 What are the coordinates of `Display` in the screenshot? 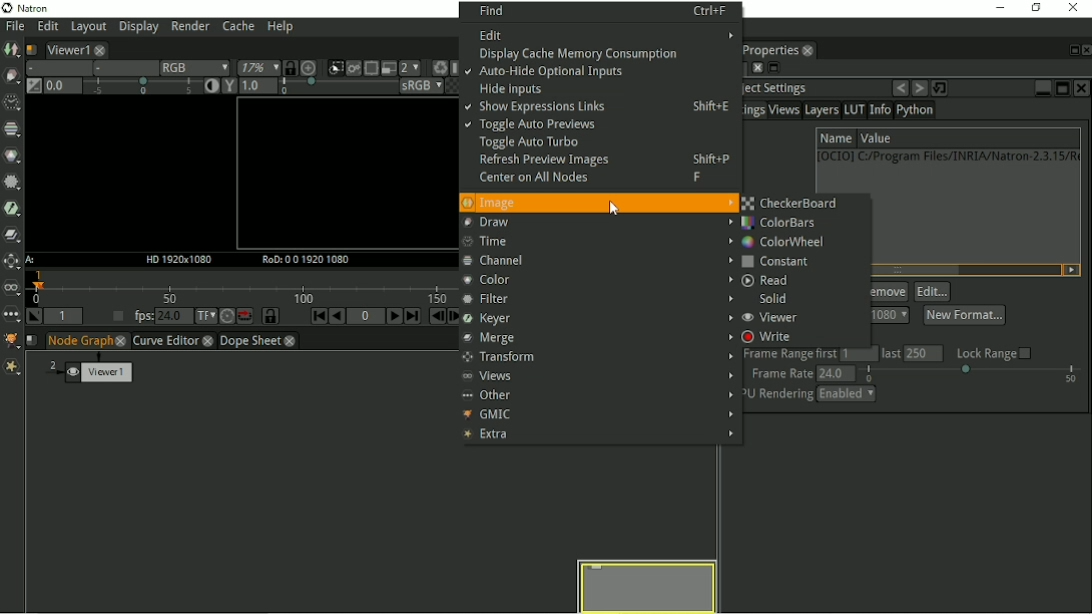 It's located at (139, 28).